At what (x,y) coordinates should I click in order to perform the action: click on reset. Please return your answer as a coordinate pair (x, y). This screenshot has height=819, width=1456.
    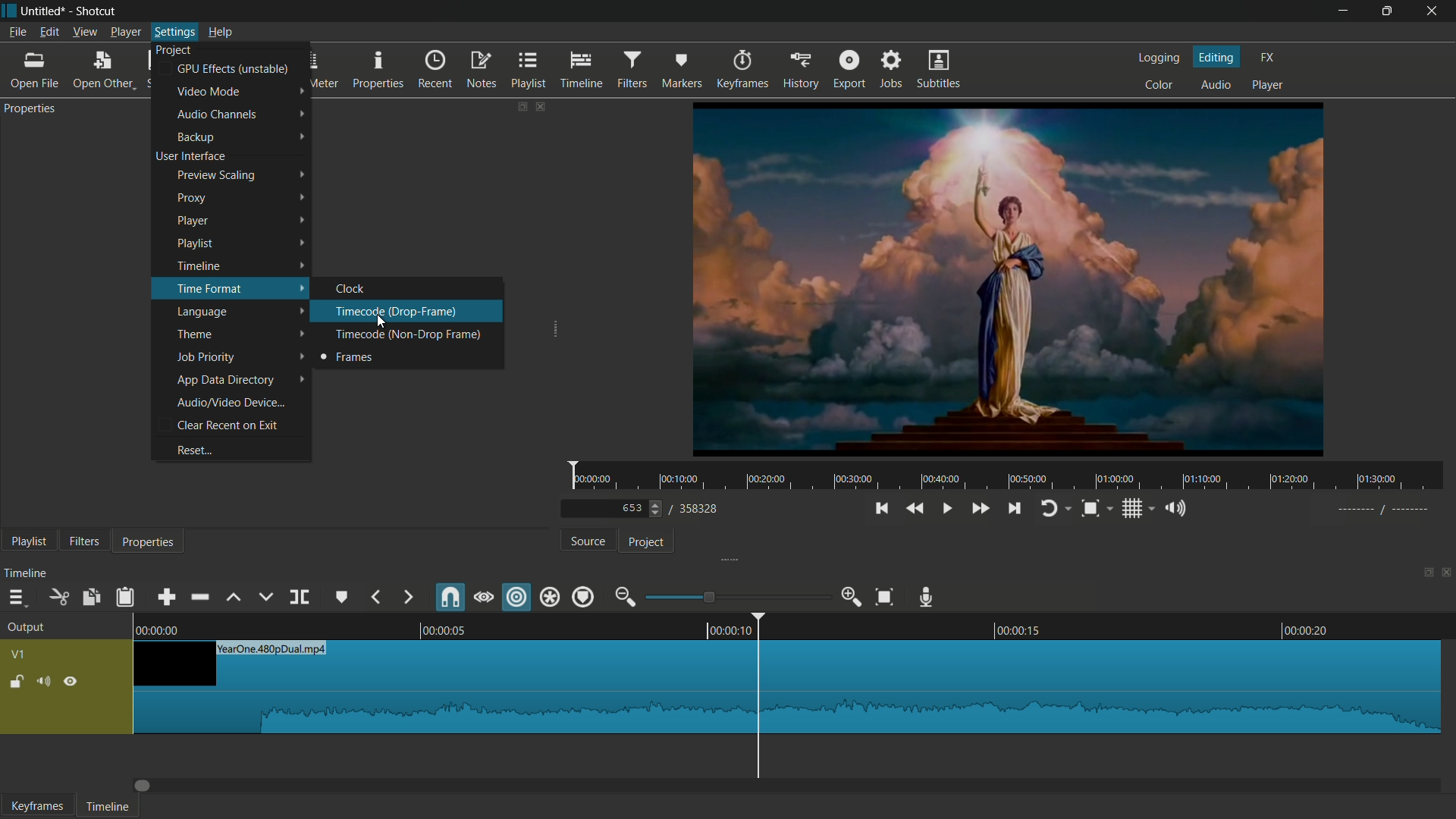
    Looking at the image, I should click on (196, 450).